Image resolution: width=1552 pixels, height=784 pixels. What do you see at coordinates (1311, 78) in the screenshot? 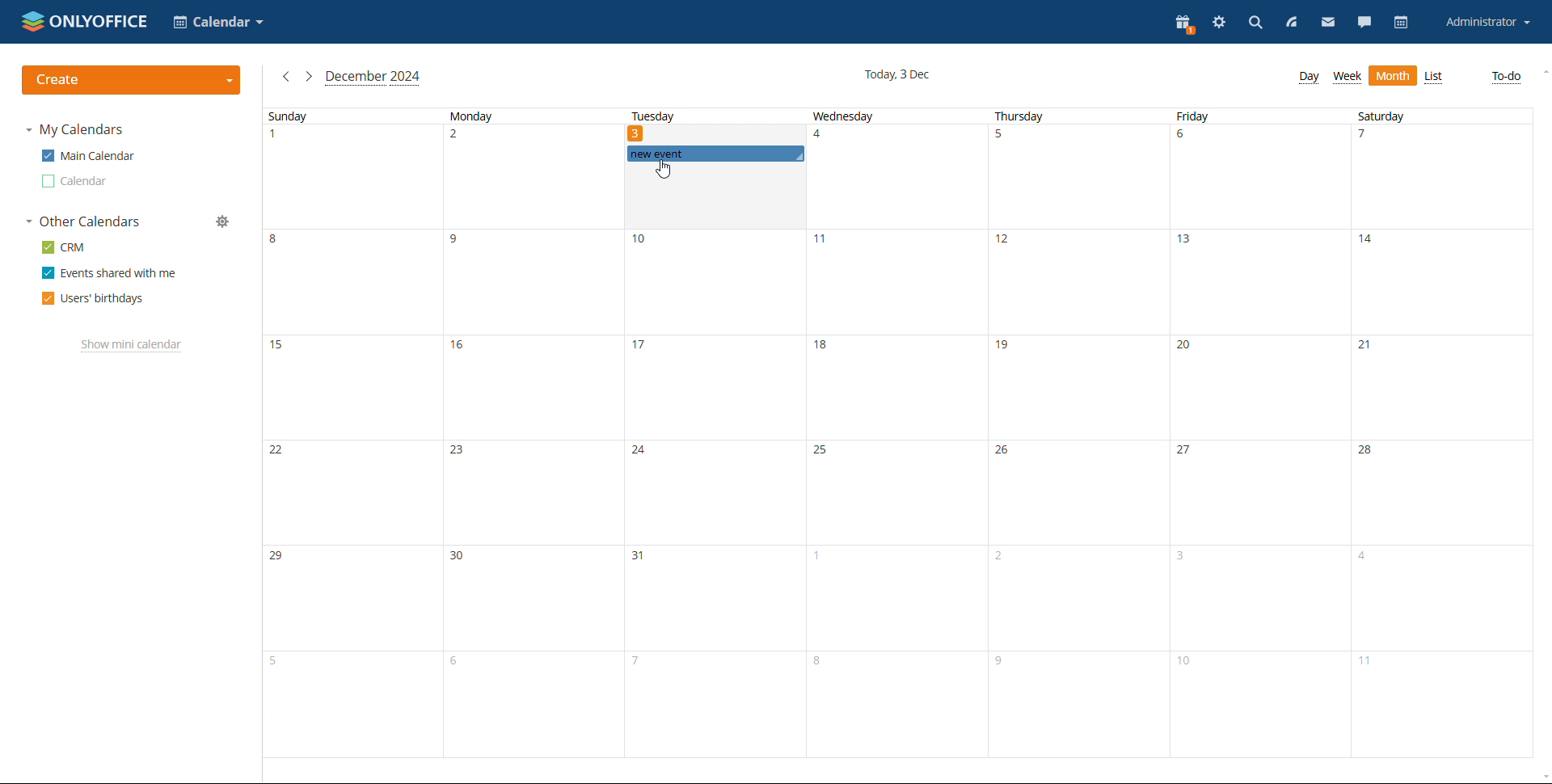
I see `day view` at bounding box center [1311, 78].